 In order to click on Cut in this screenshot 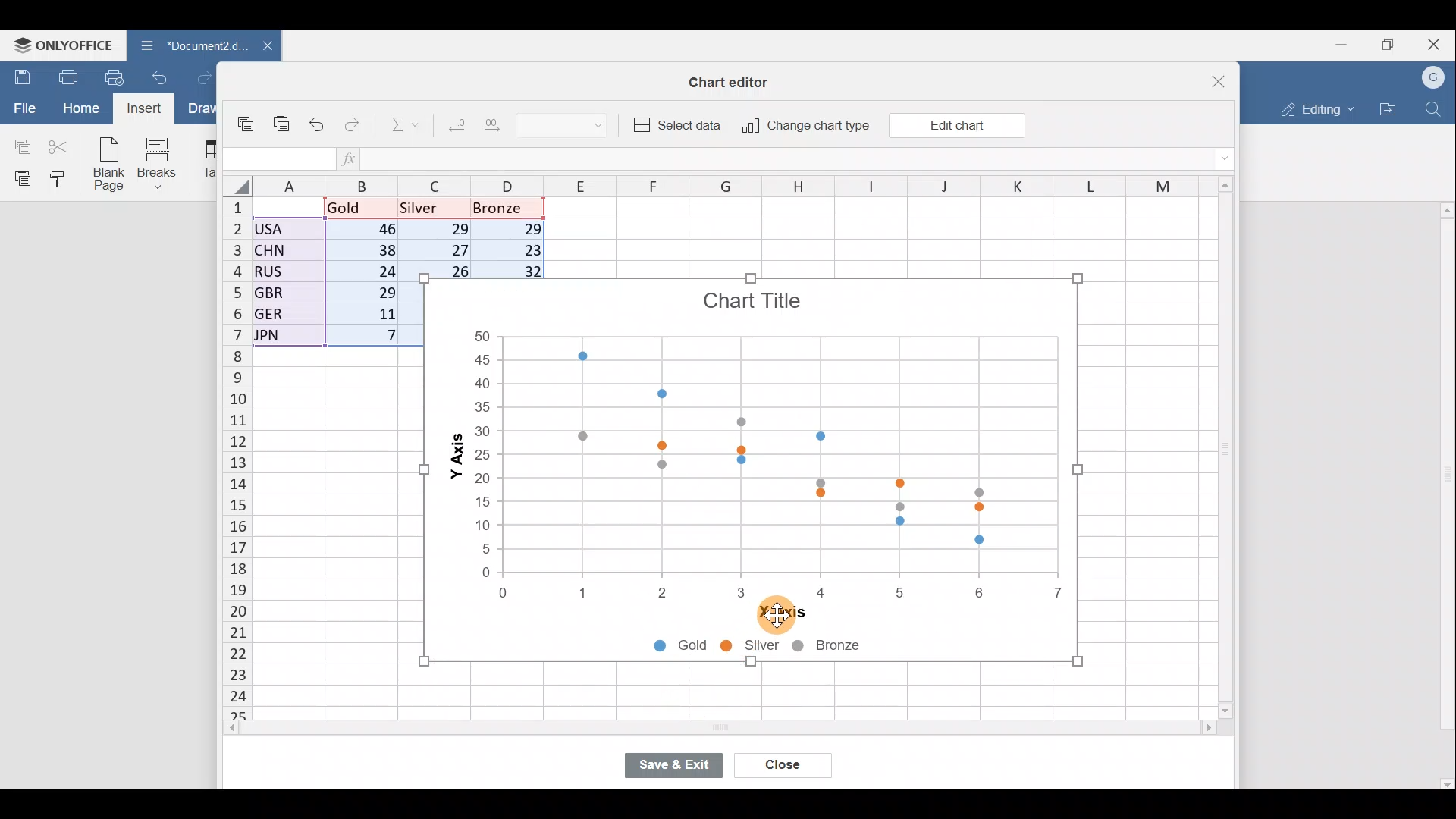, I will do `click(63, 146)`.